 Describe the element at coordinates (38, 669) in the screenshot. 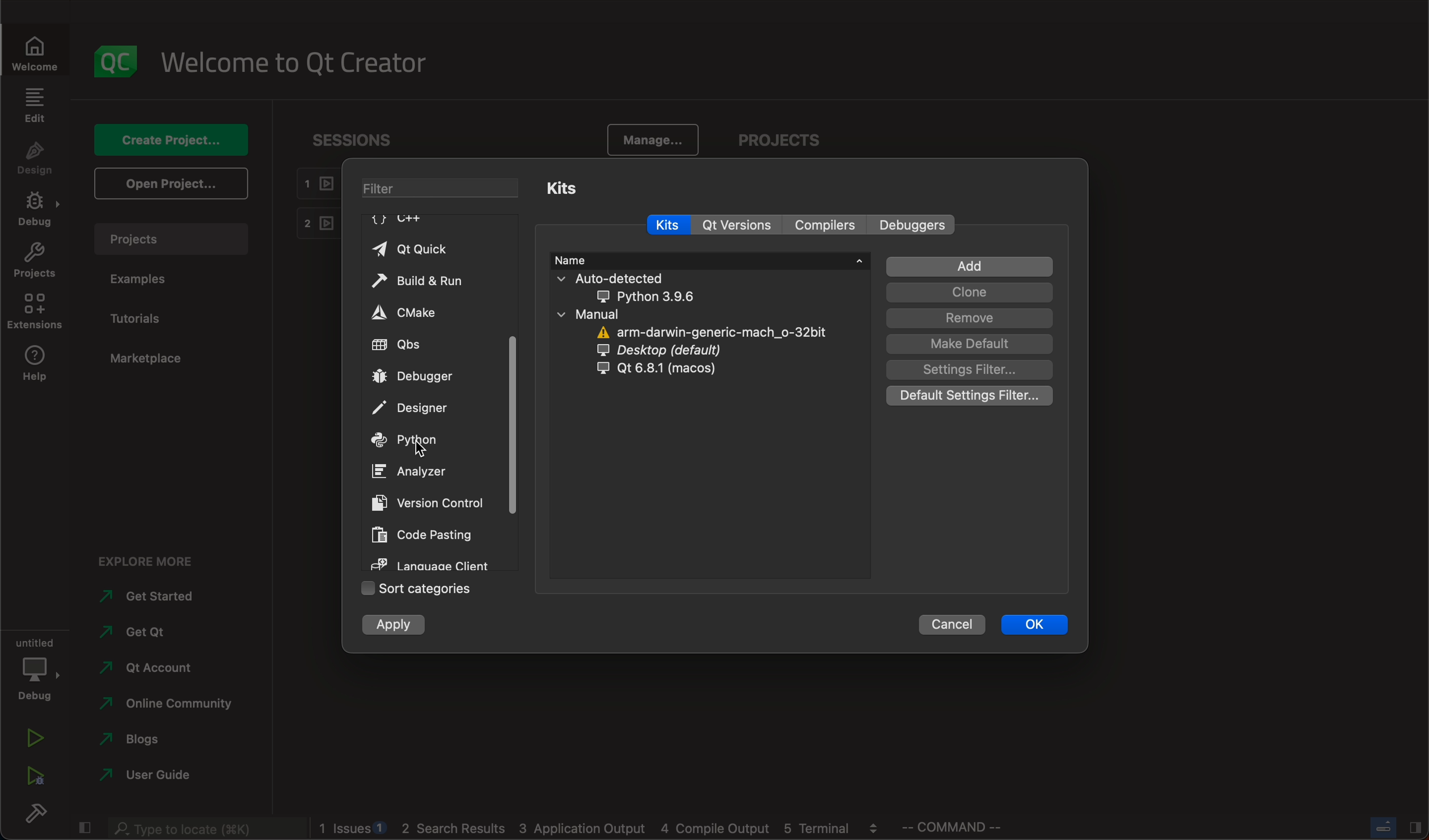

I see `debug` at that location.